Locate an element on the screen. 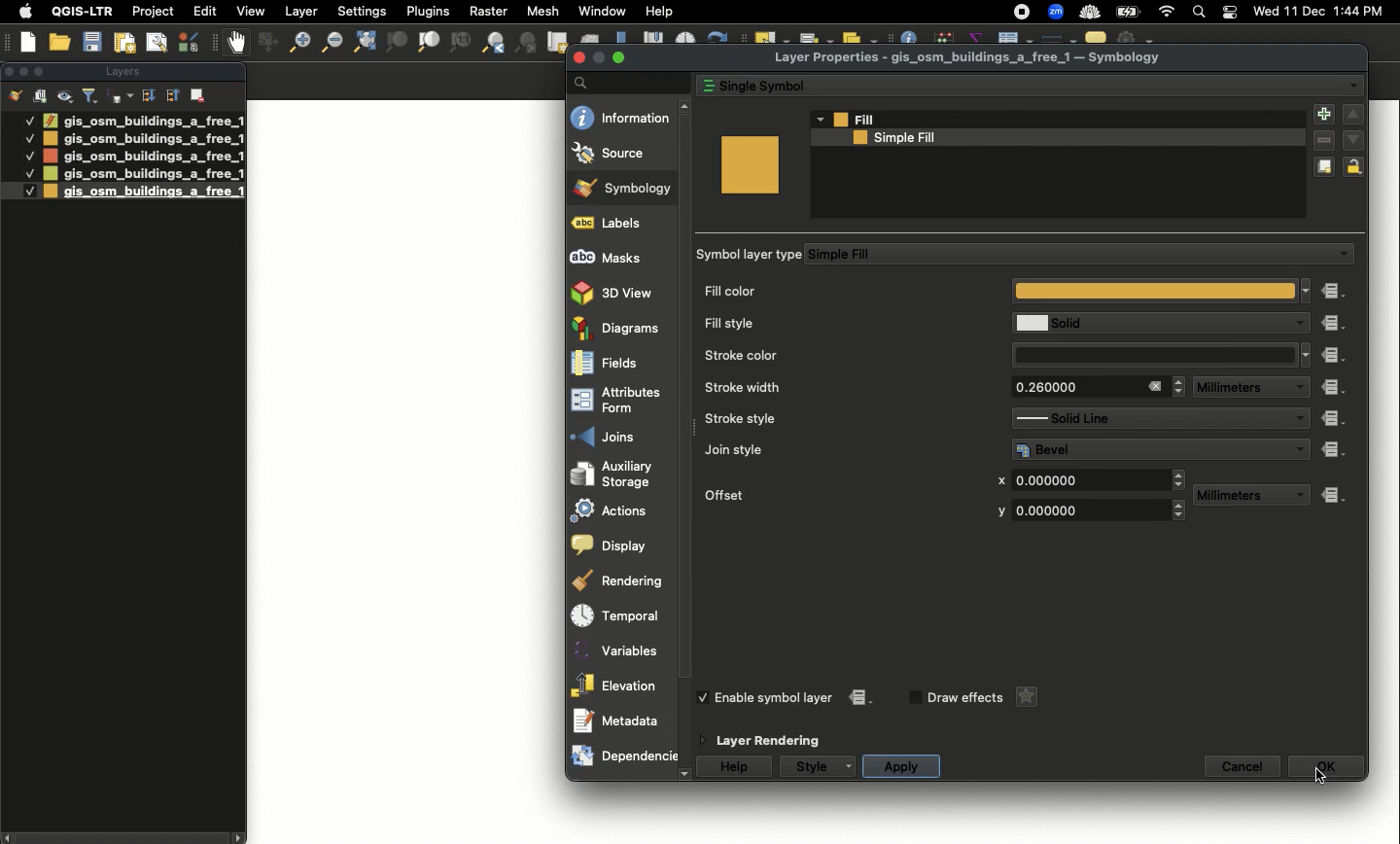 The height and width of the screenshot is (844, 1400). Save is located at coordinates (92, 43).